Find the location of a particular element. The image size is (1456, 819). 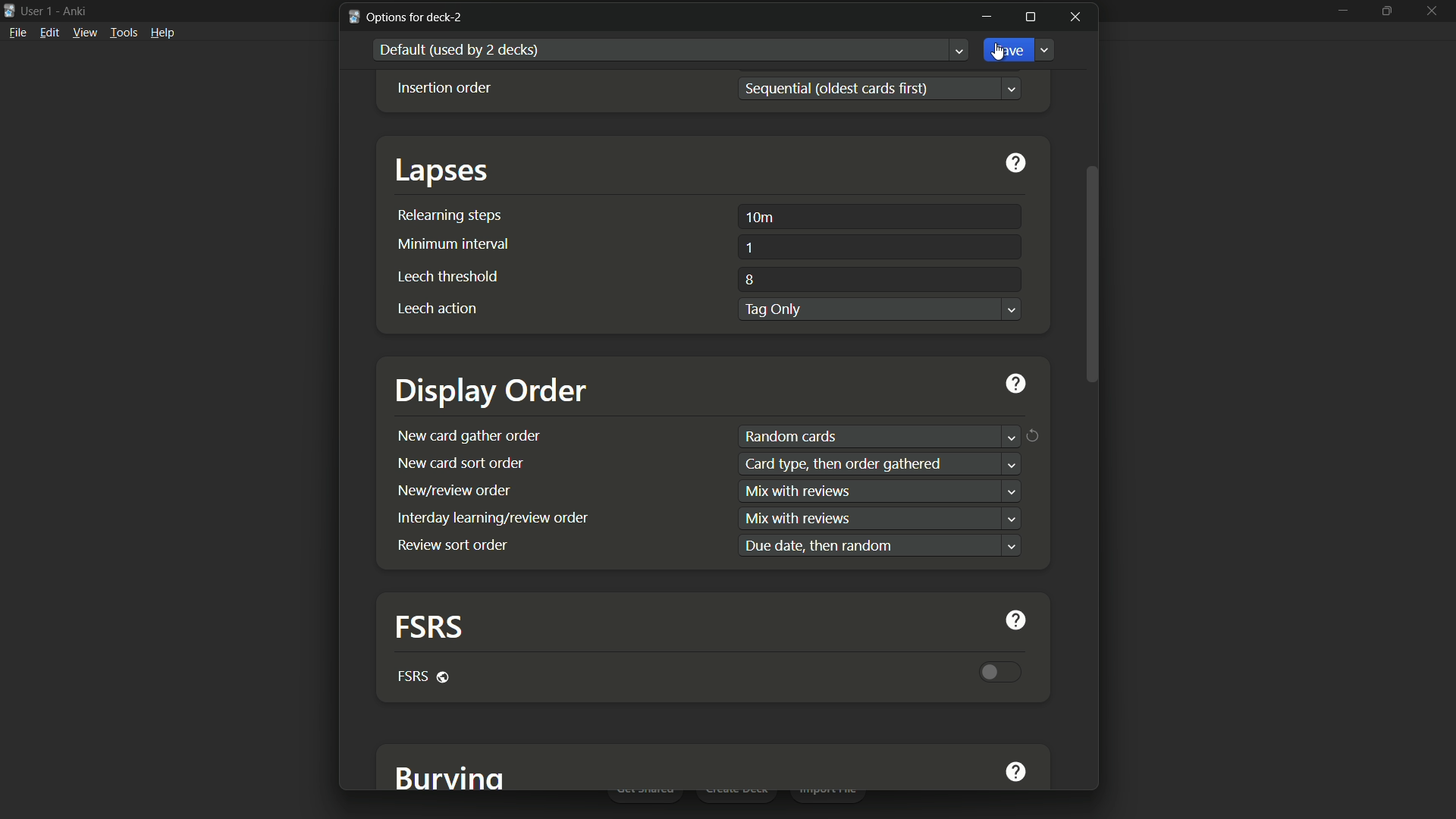

new card gather order is located at coordinates (469, 435).